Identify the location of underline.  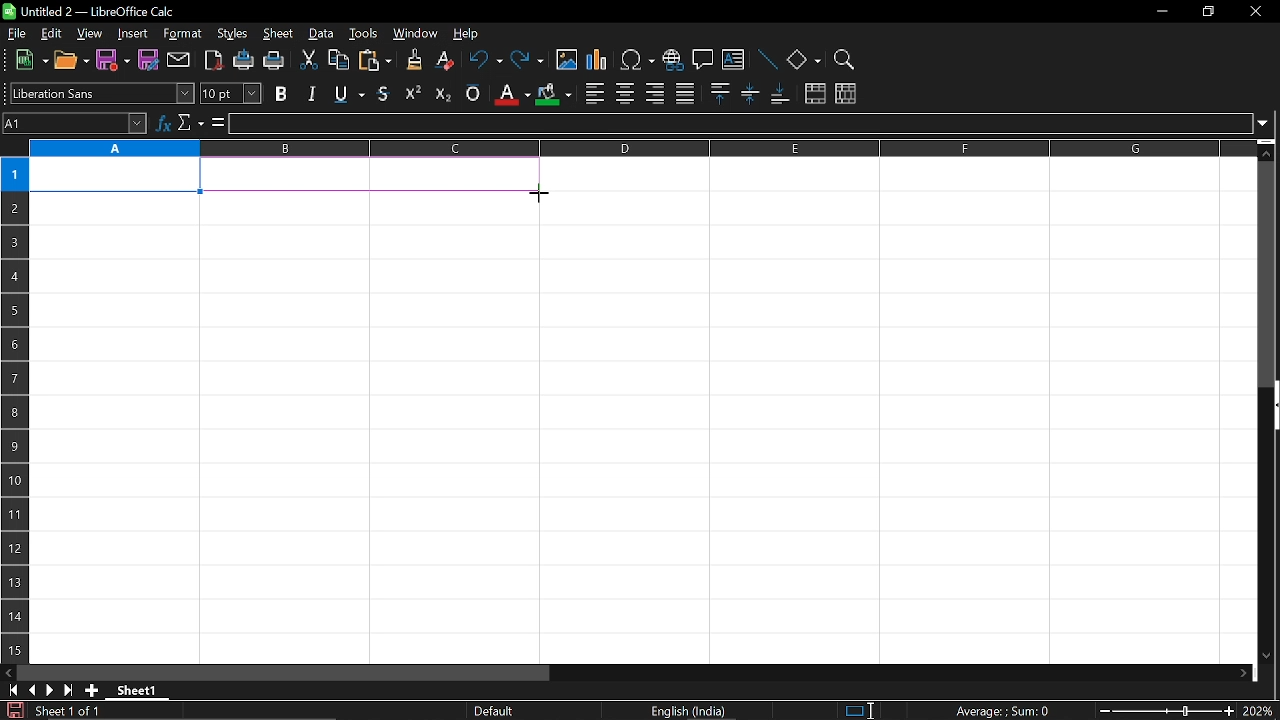
(346, 94).